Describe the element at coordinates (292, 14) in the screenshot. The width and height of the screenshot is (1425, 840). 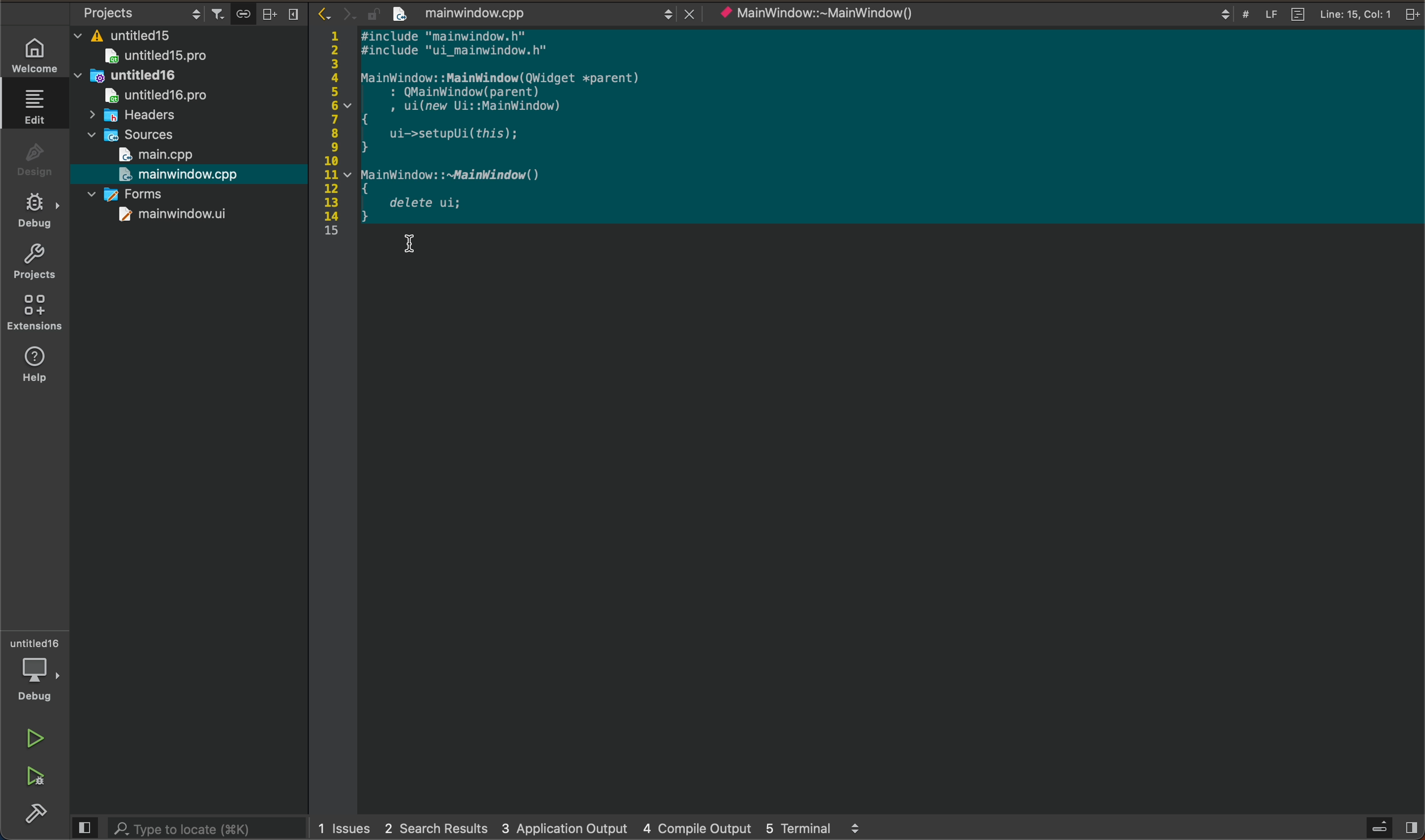
I see `Menu` at that location.